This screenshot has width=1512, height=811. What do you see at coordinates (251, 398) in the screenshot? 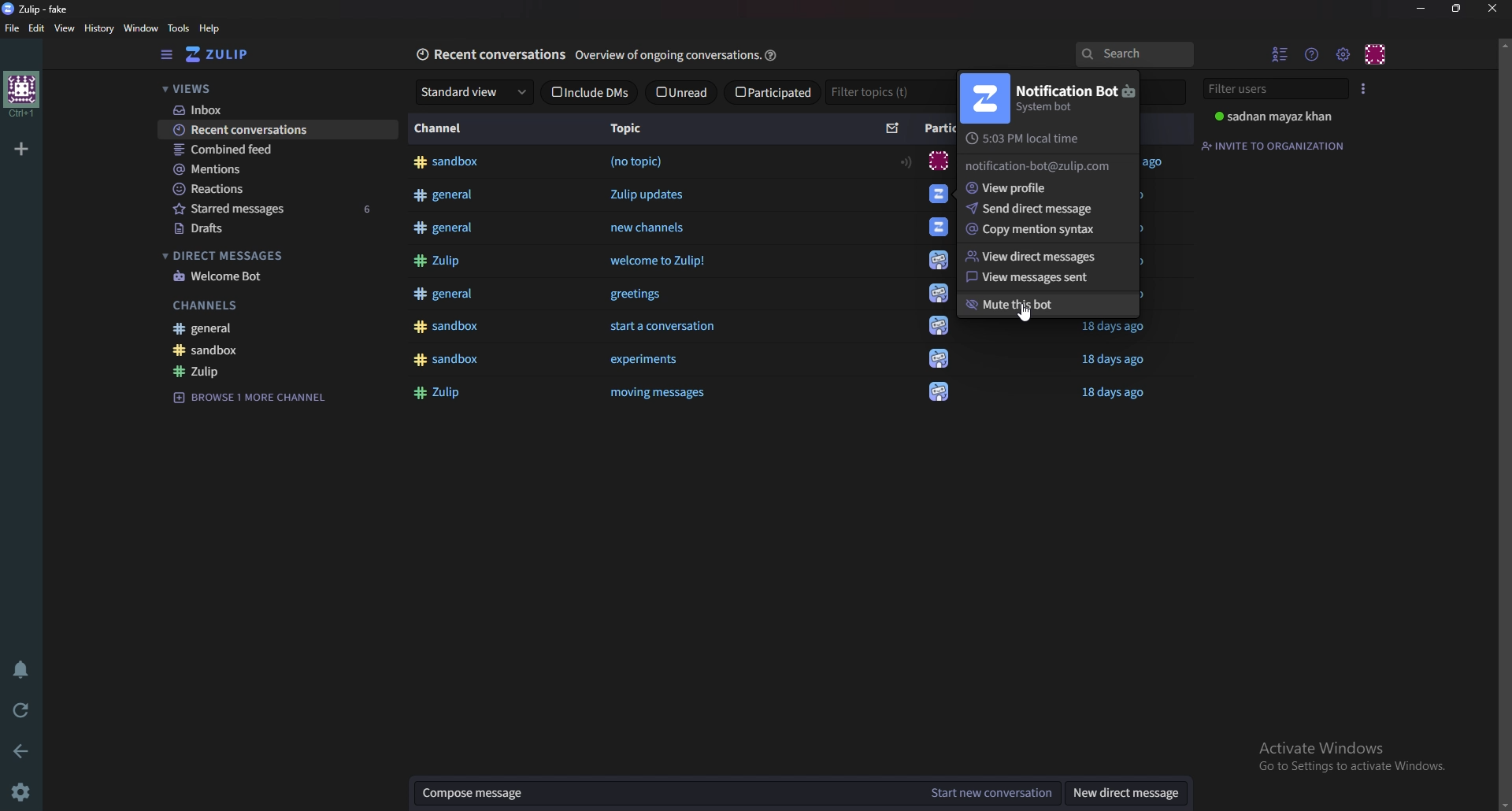
I see `Browse channel` at bounding box center [251, 398].